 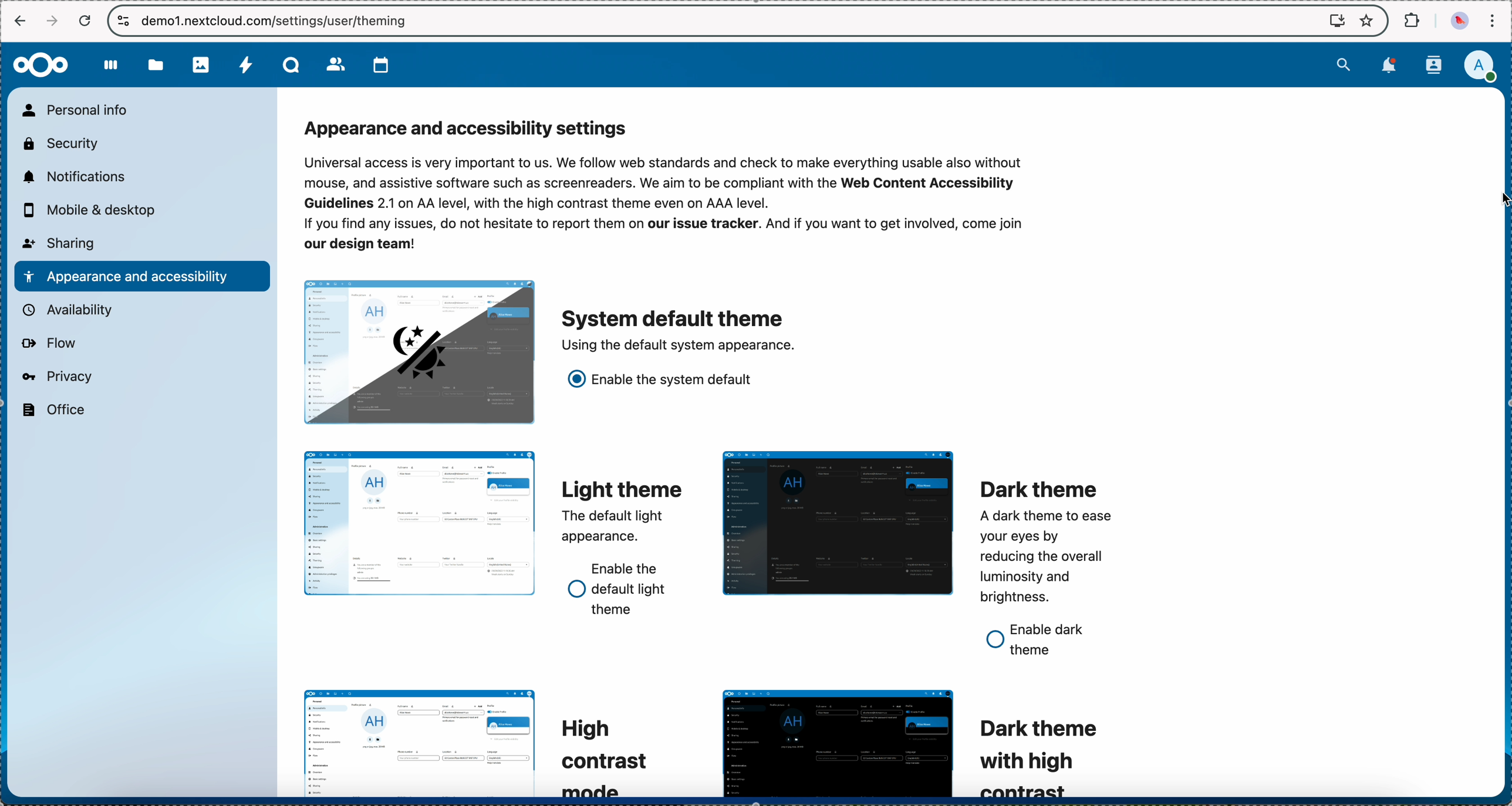 I want to click on flow, so click(x=50, y=345).